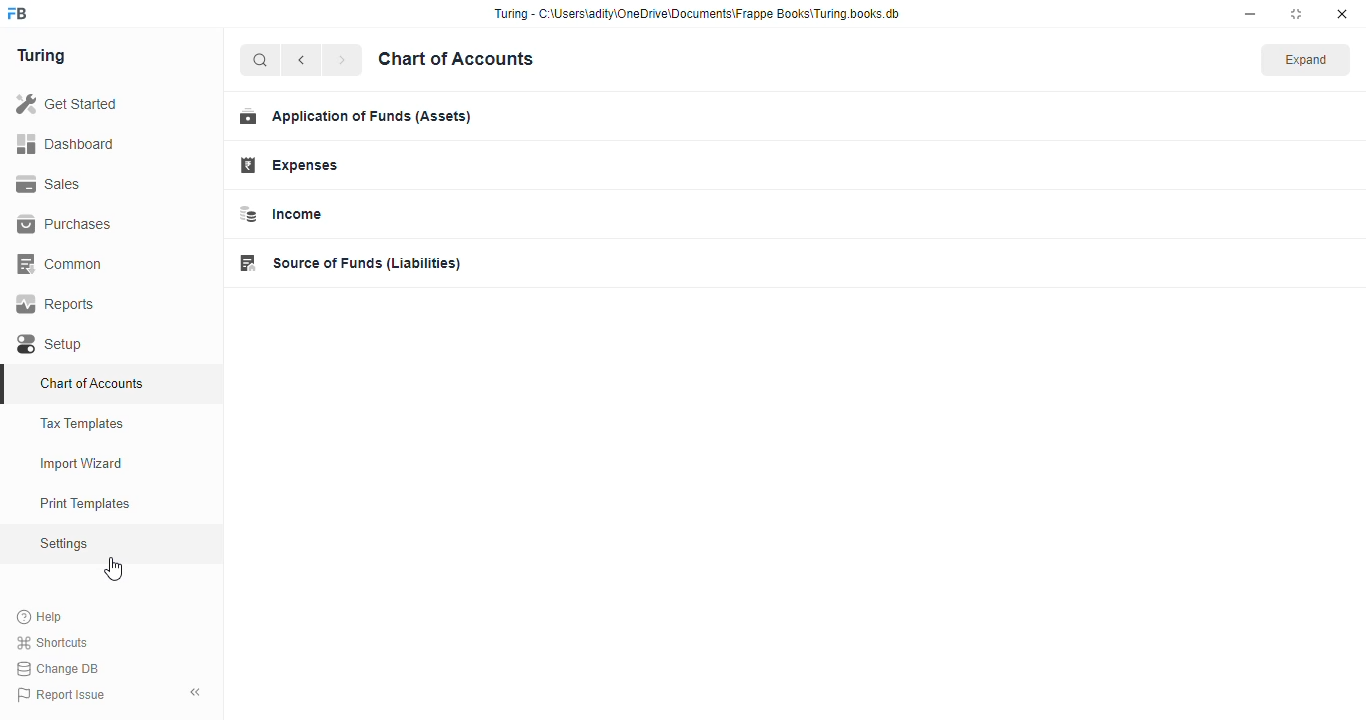  What do you see at coordinates (98, 546) in the screenshot?
I see `Settings
oy` at bounding box center [98, 546].